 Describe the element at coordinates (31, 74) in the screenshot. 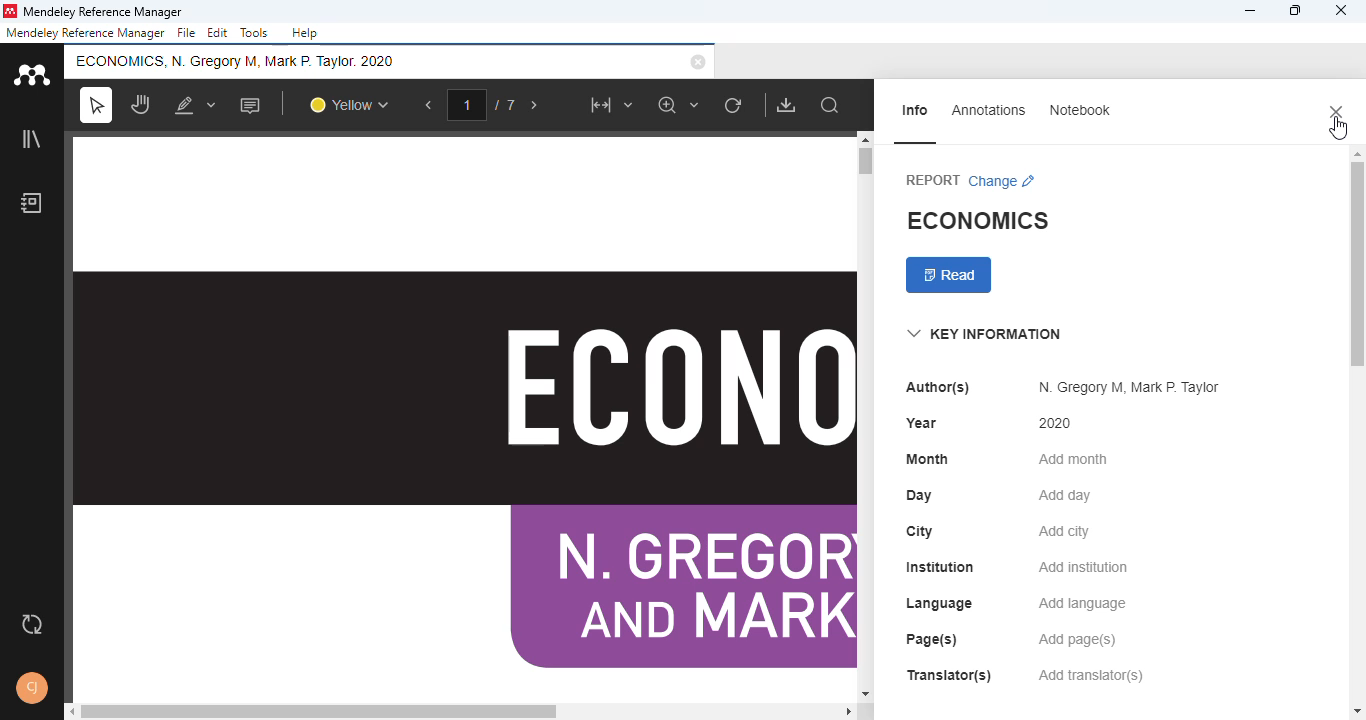

I see `logo` at that location.